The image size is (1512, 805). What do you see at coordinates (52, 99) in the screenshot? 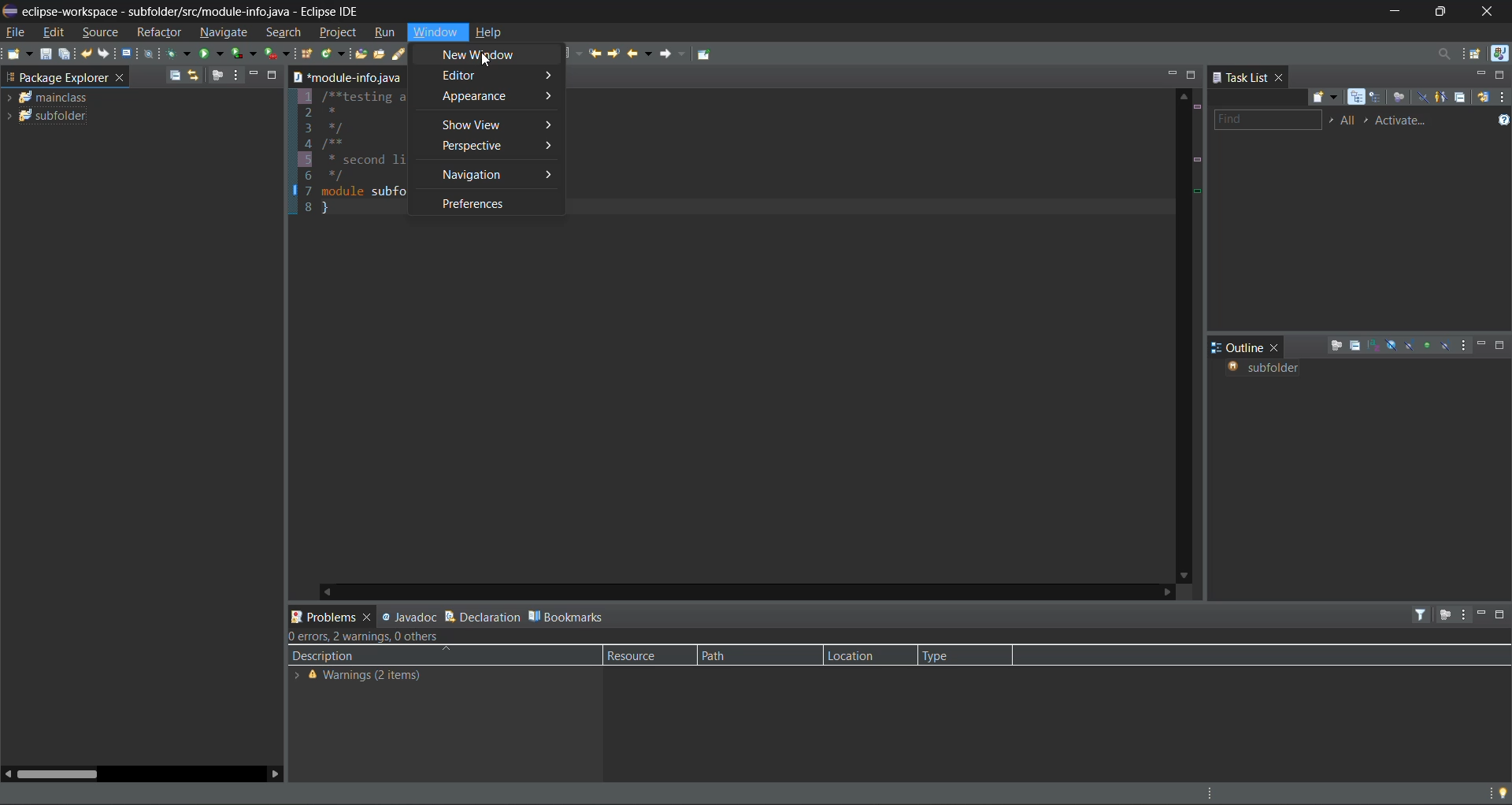
I see `module 1` at bounding box center [52, 99].